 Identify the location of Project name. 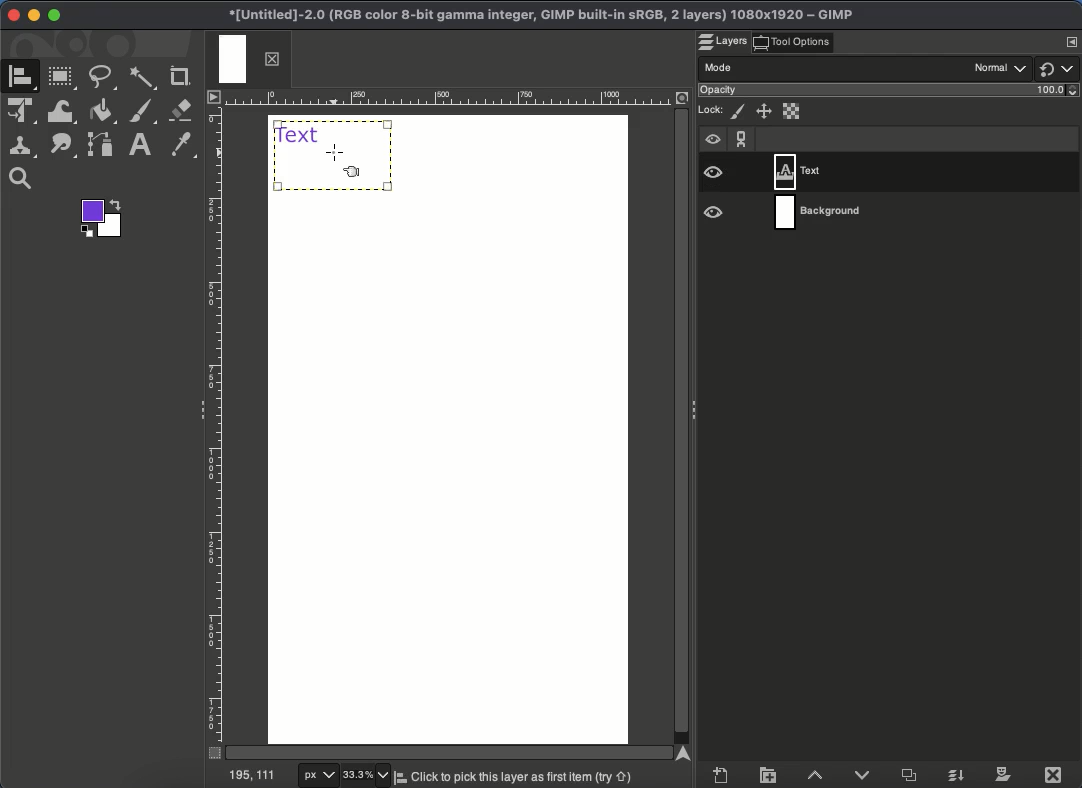
(539, 15).